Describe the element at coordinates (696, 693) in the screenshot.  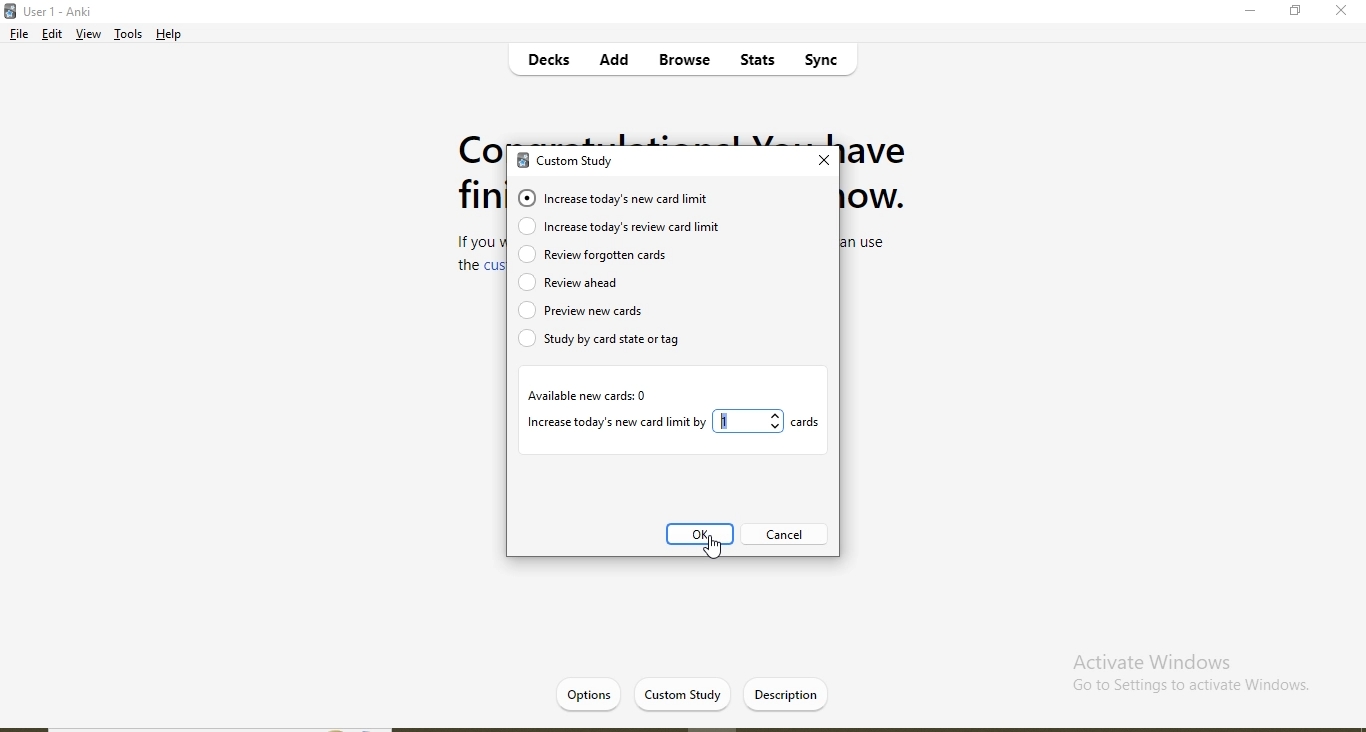
I see `create deck` at that location.